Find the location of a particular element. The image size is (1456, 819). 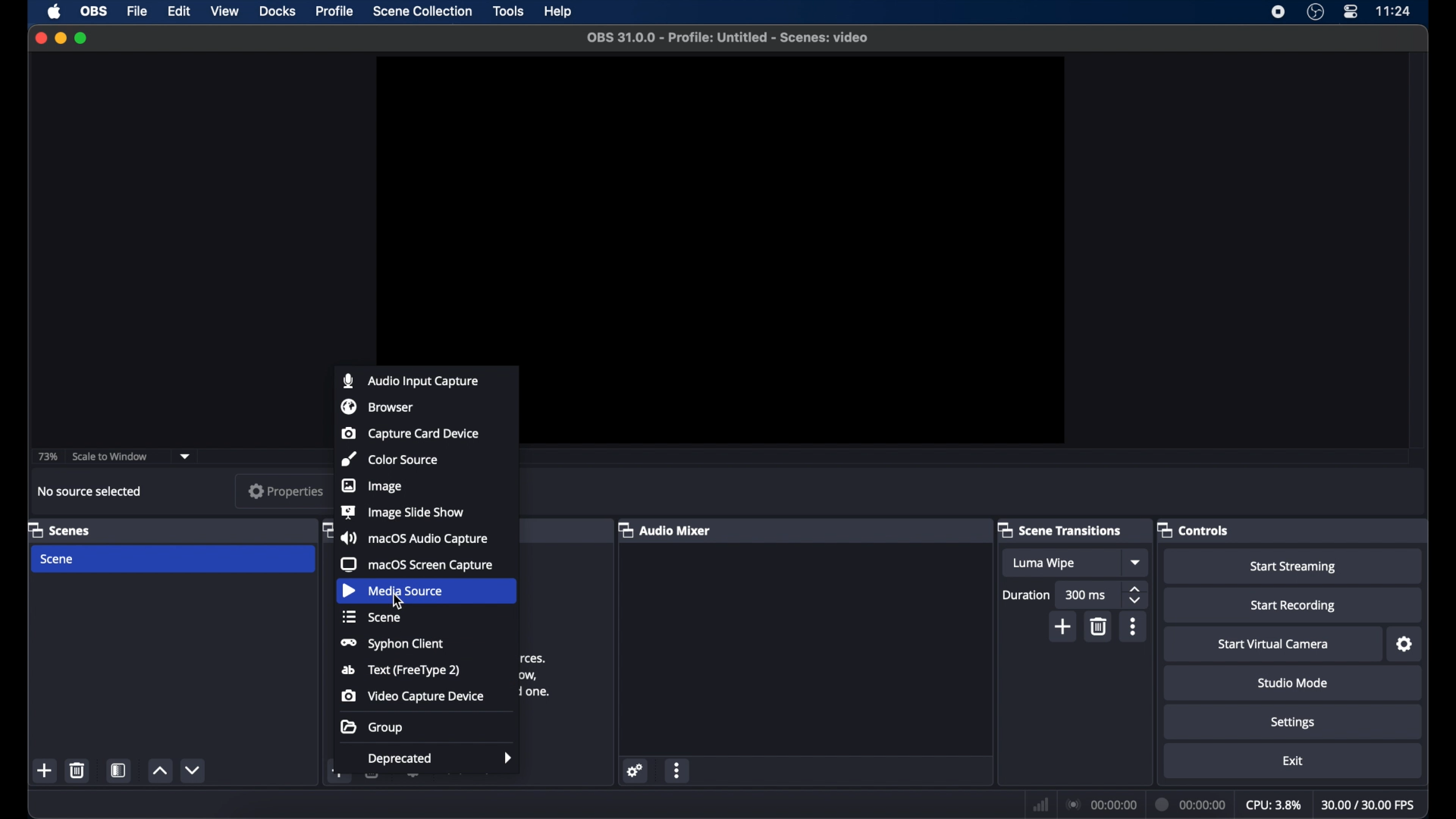

properties is located at coordinates (286, 491).